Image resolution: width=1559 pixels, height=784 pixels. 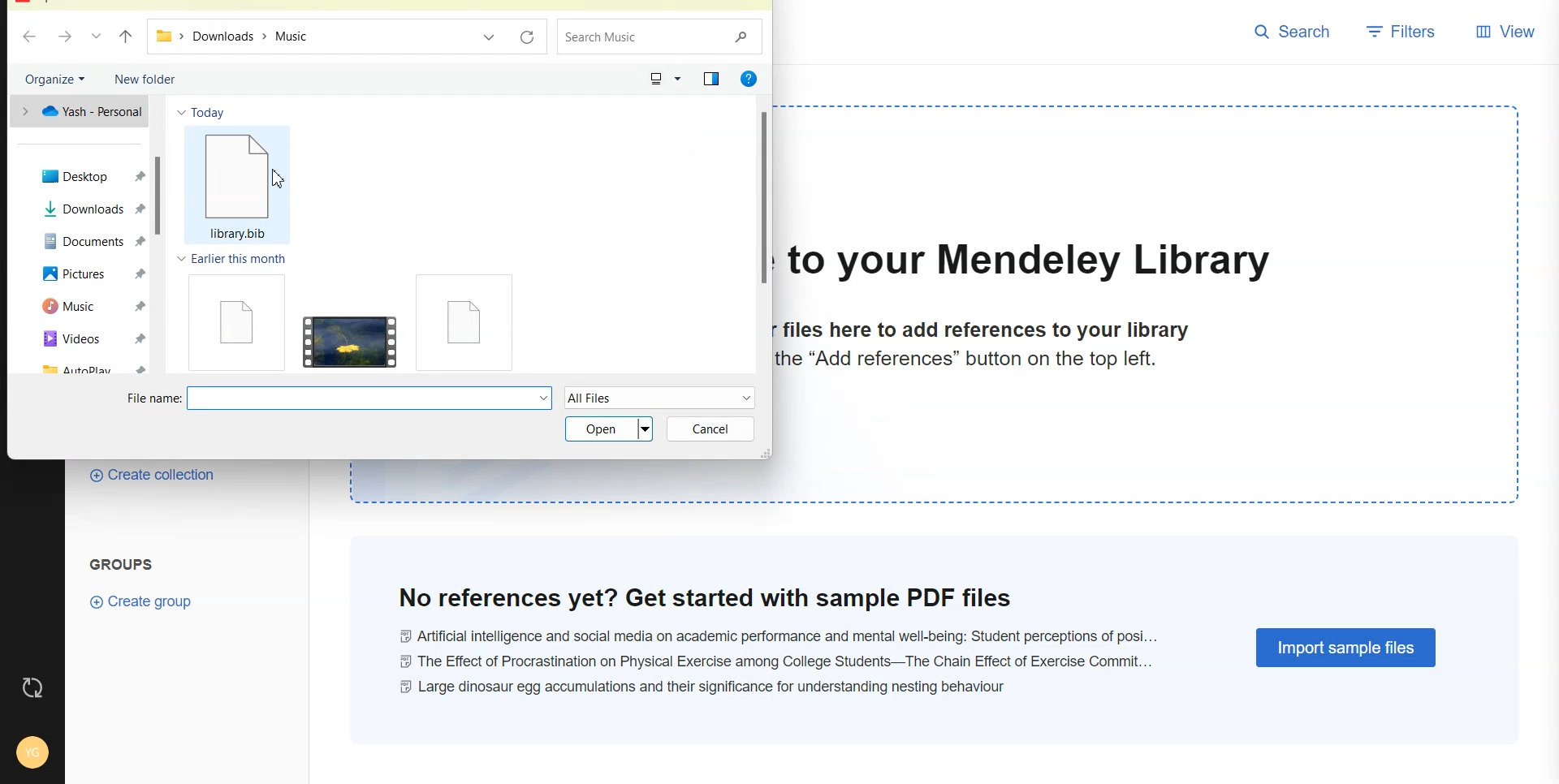 I want to click on Organize, so click(x=54, y=80).